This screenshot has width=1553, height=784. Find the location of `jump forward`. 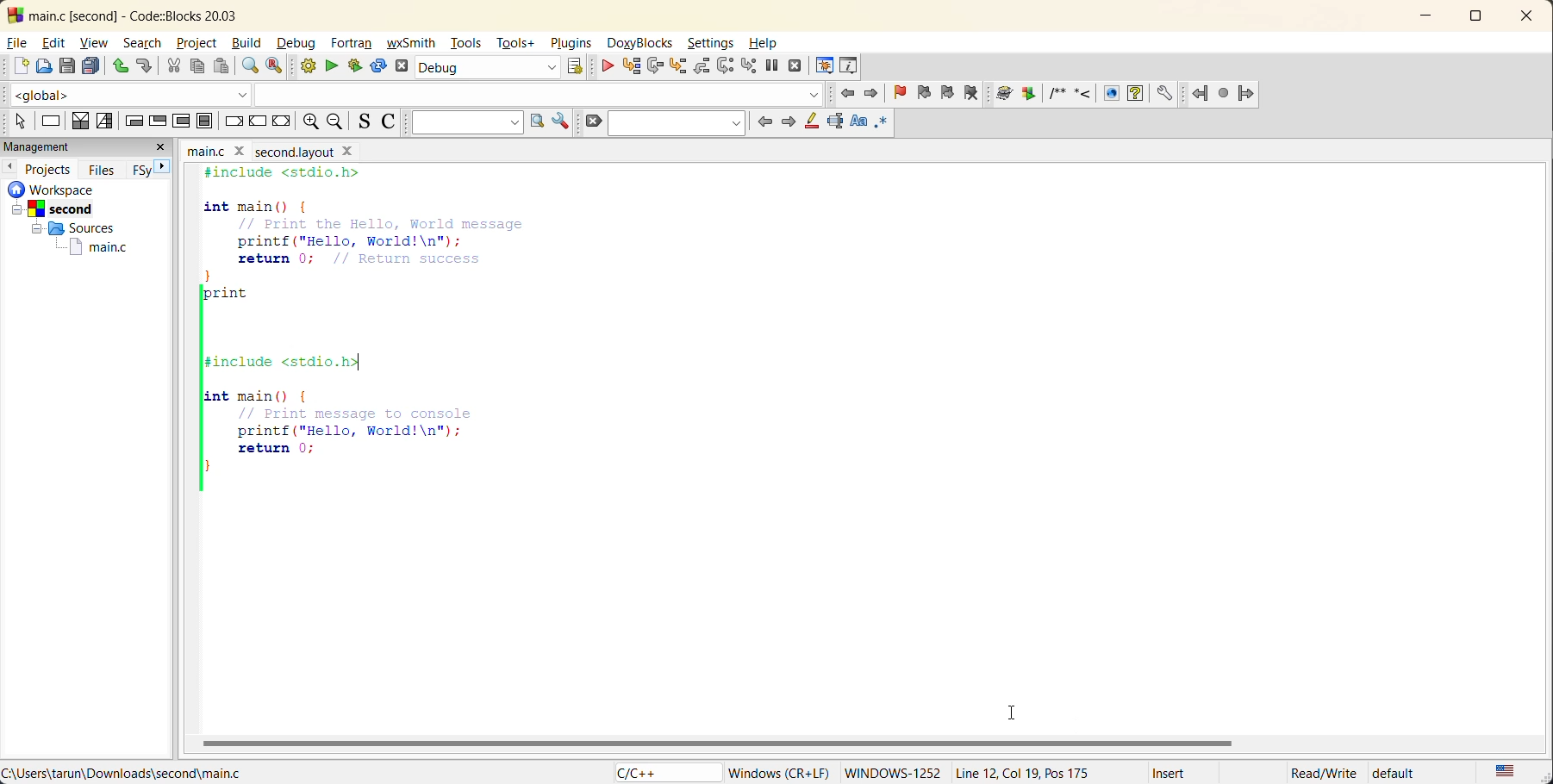

jump forward is located at coordinates (869, 94).